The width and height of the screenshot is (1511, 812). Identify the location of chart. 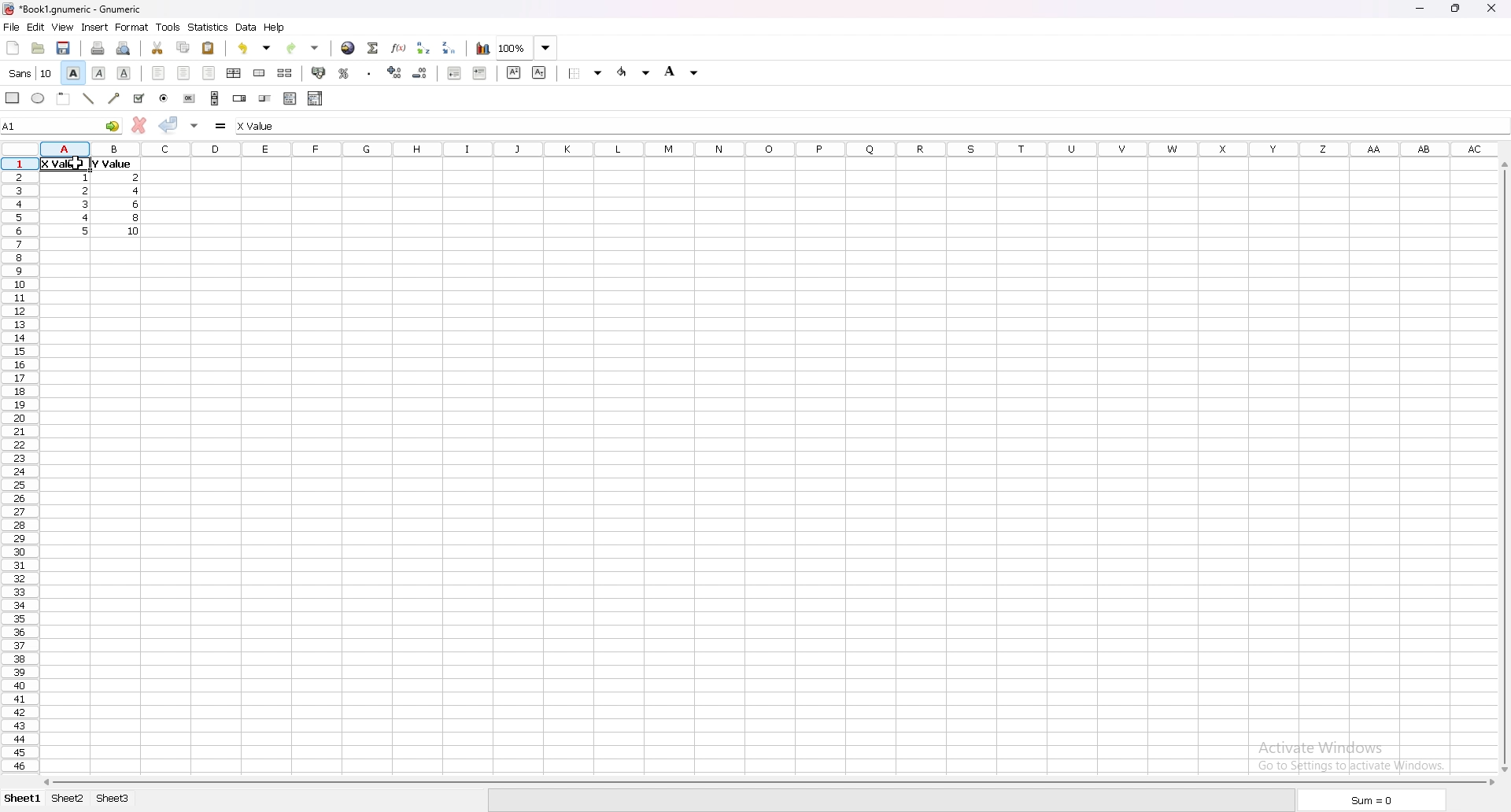
(483, 48).